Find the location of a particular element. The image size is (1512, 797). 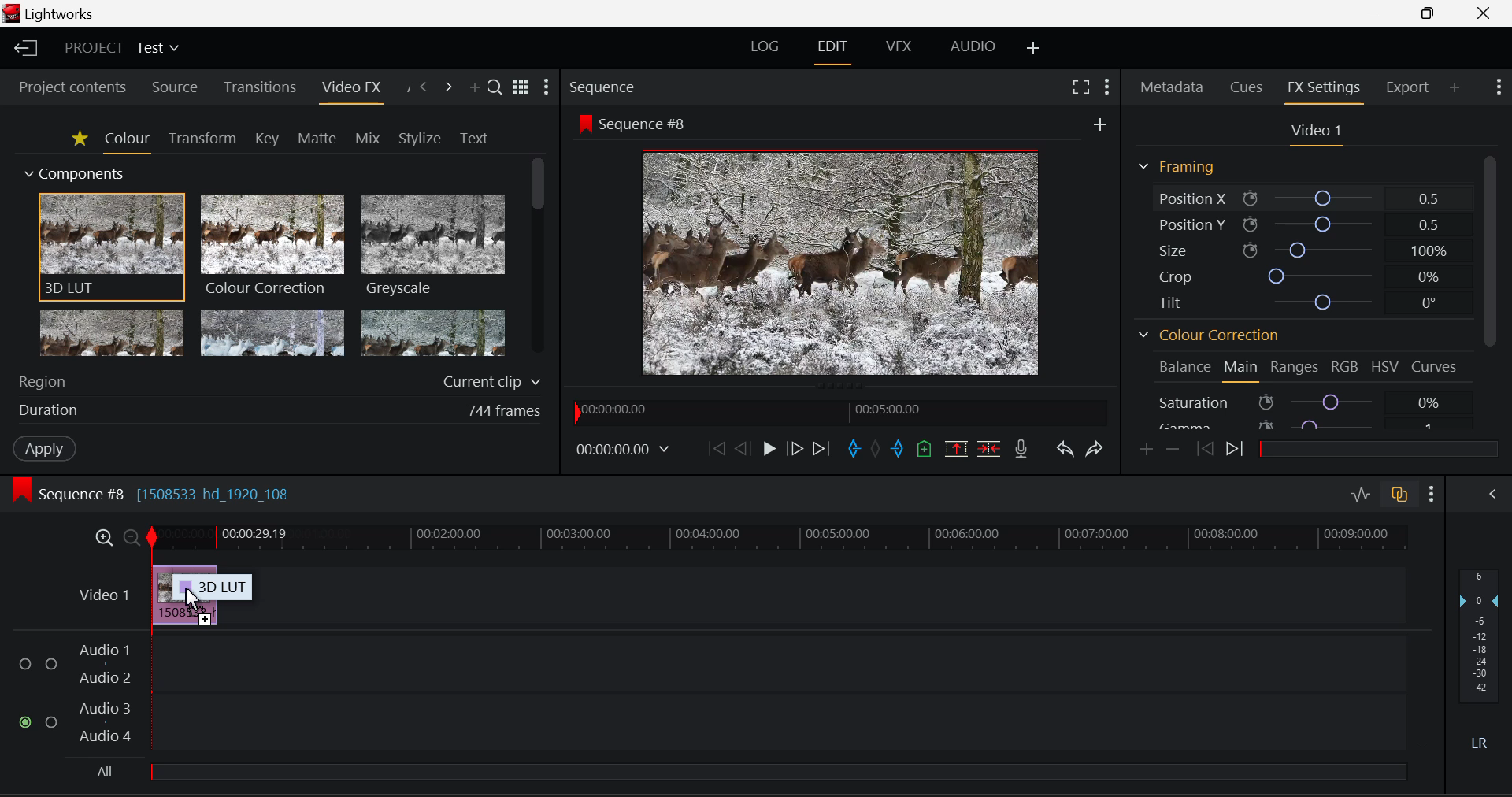

Mark Cue is located at coordinates (923, 448).